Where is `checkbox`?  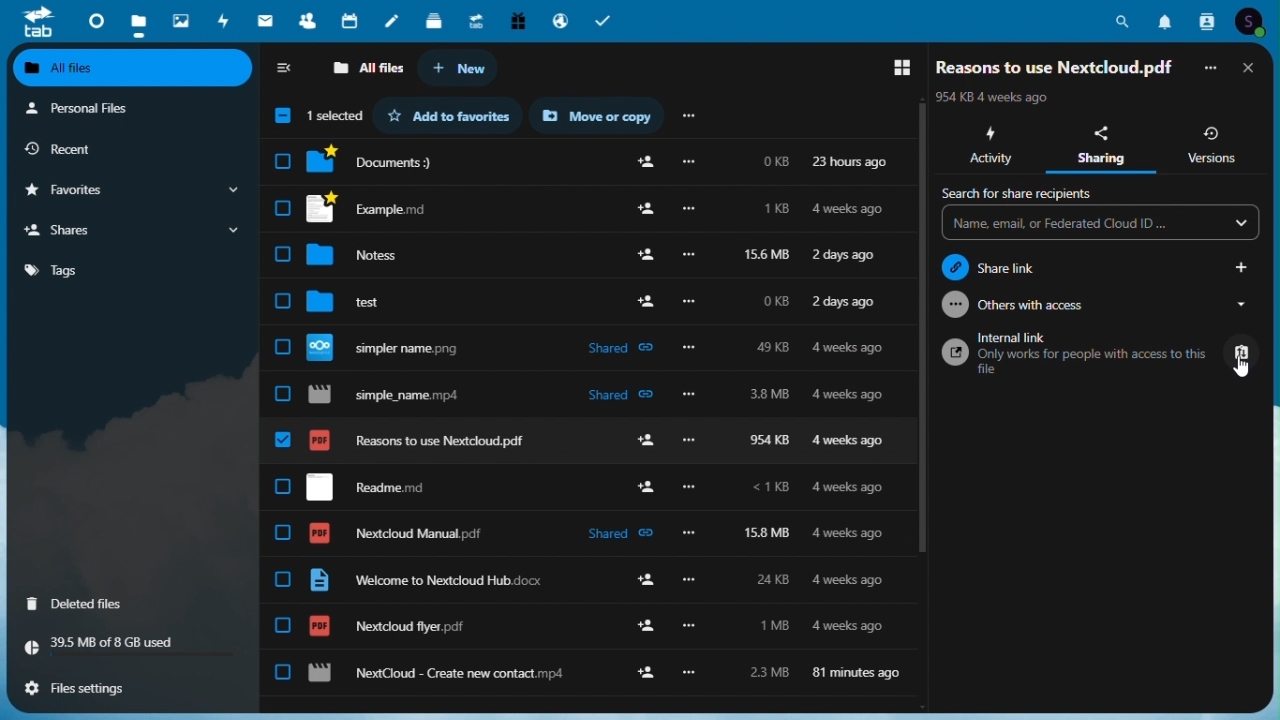
checkbox is located at coordinates (282, 349).